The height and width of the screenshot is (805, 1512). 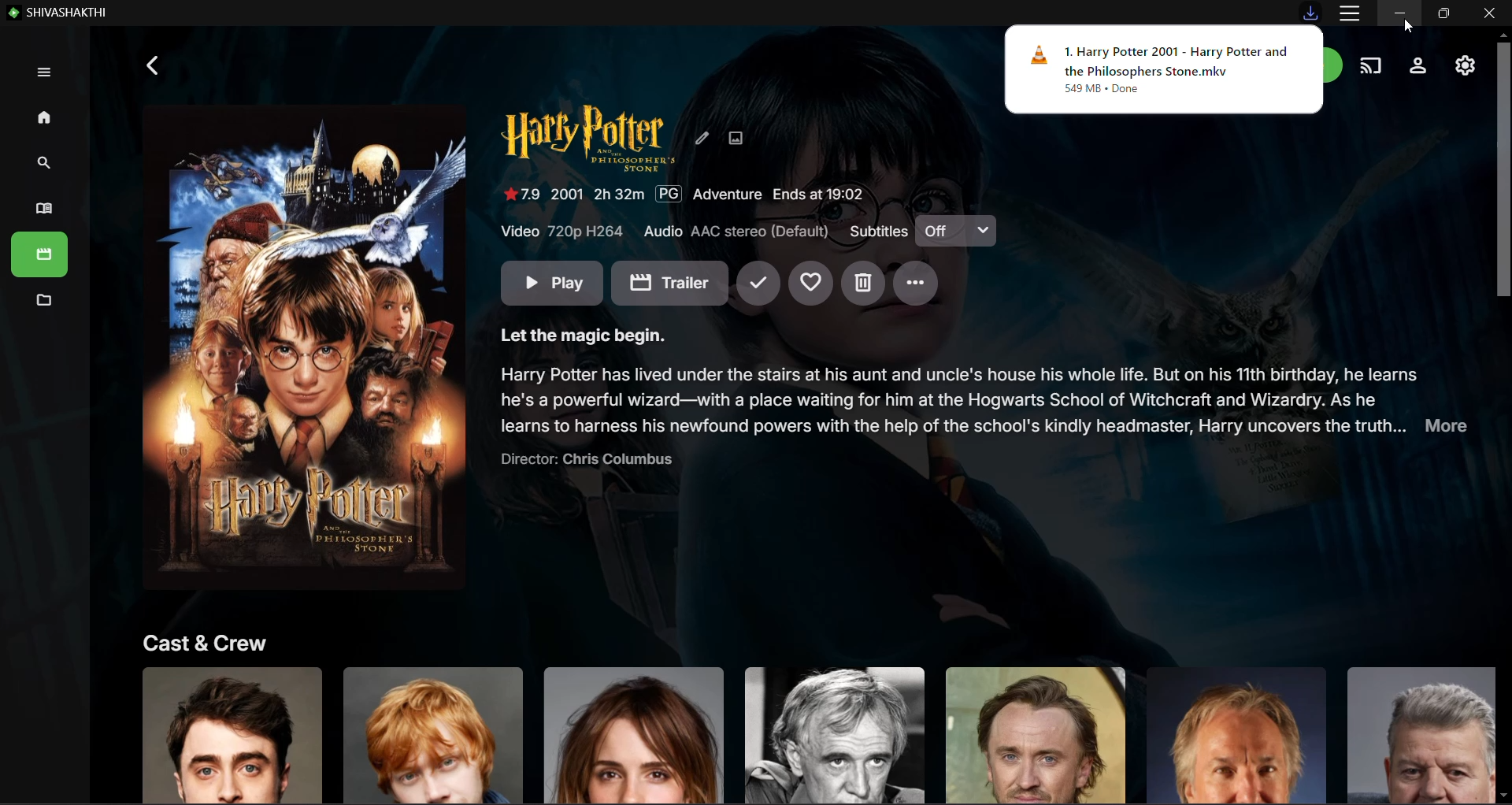 I want to click on Movie Image - Click to Play, so click(x=305, y=348).